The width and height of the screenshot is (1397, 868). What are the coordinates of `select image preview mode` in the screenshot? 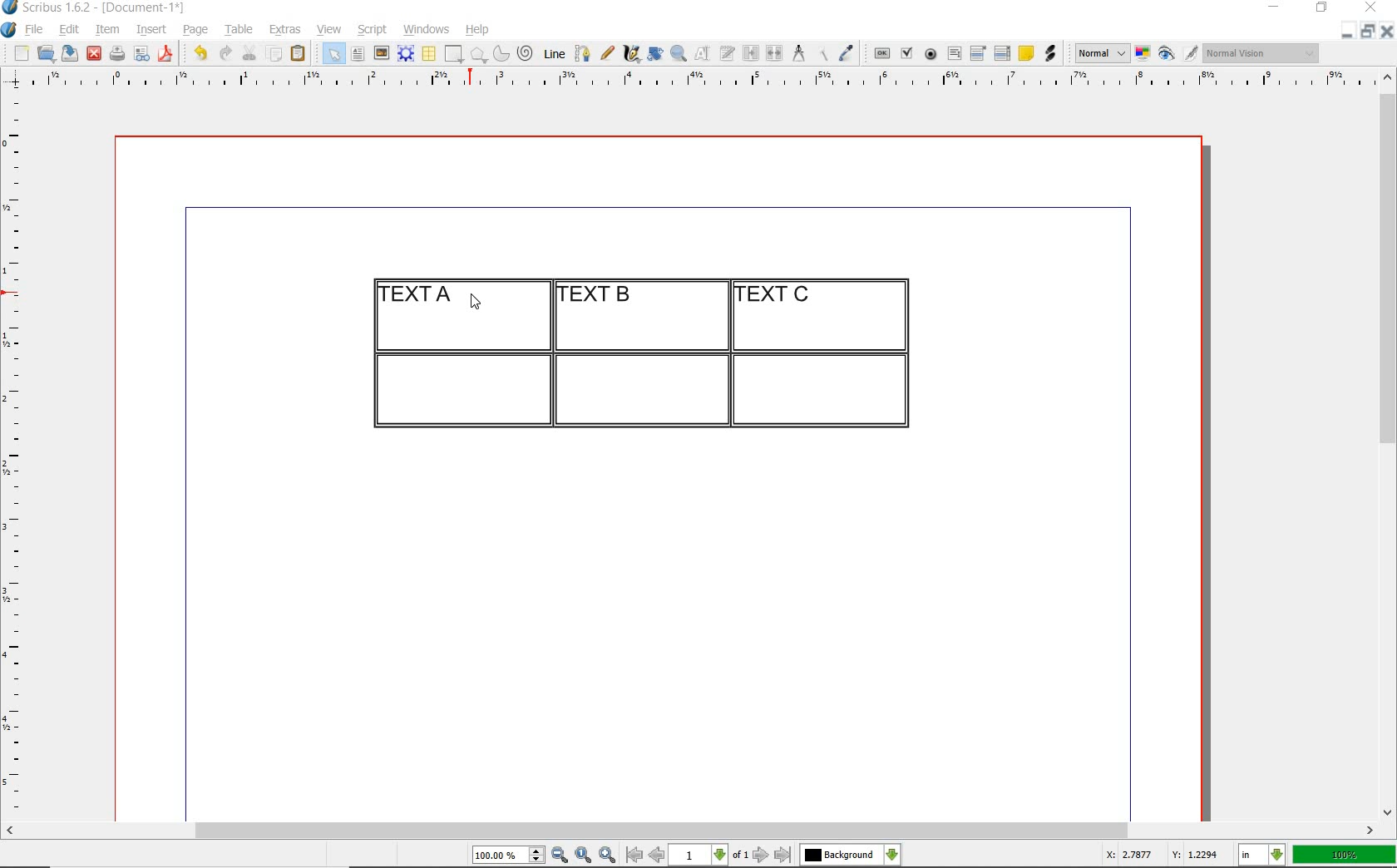 It's located at (1101, 54).